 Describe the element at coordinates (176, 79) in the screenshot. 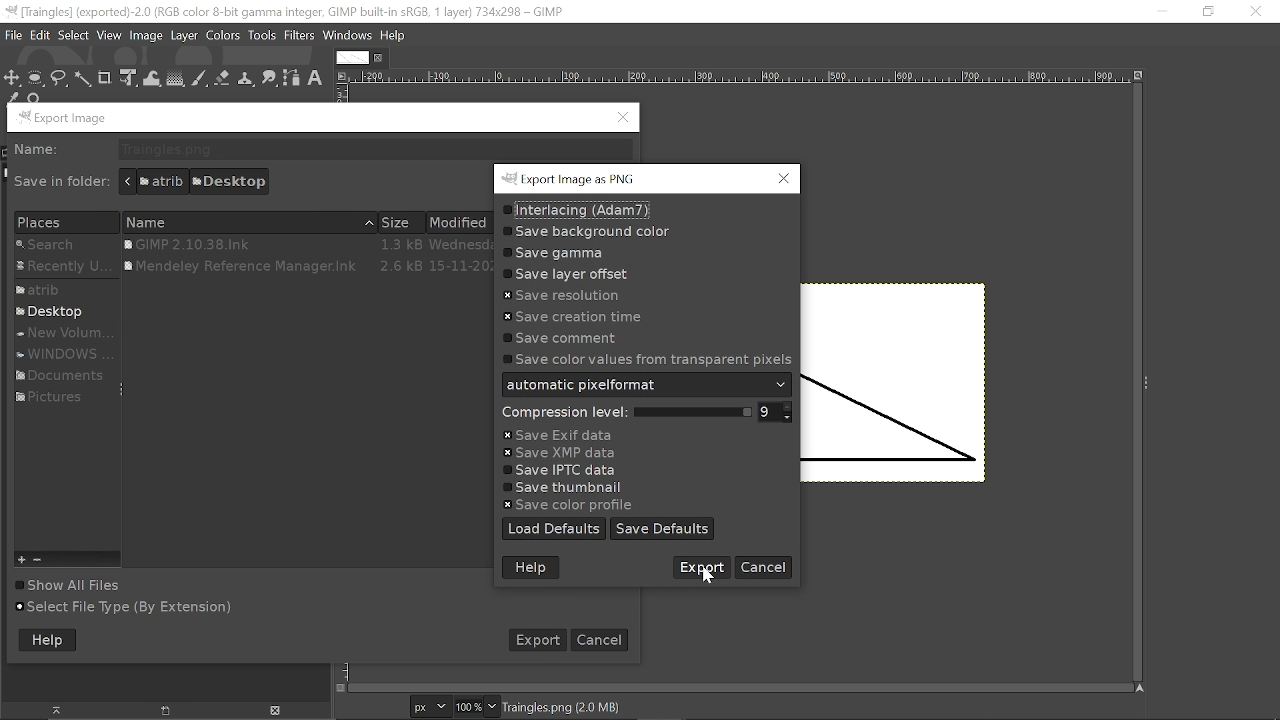

I see `Gradient tool` at that location.